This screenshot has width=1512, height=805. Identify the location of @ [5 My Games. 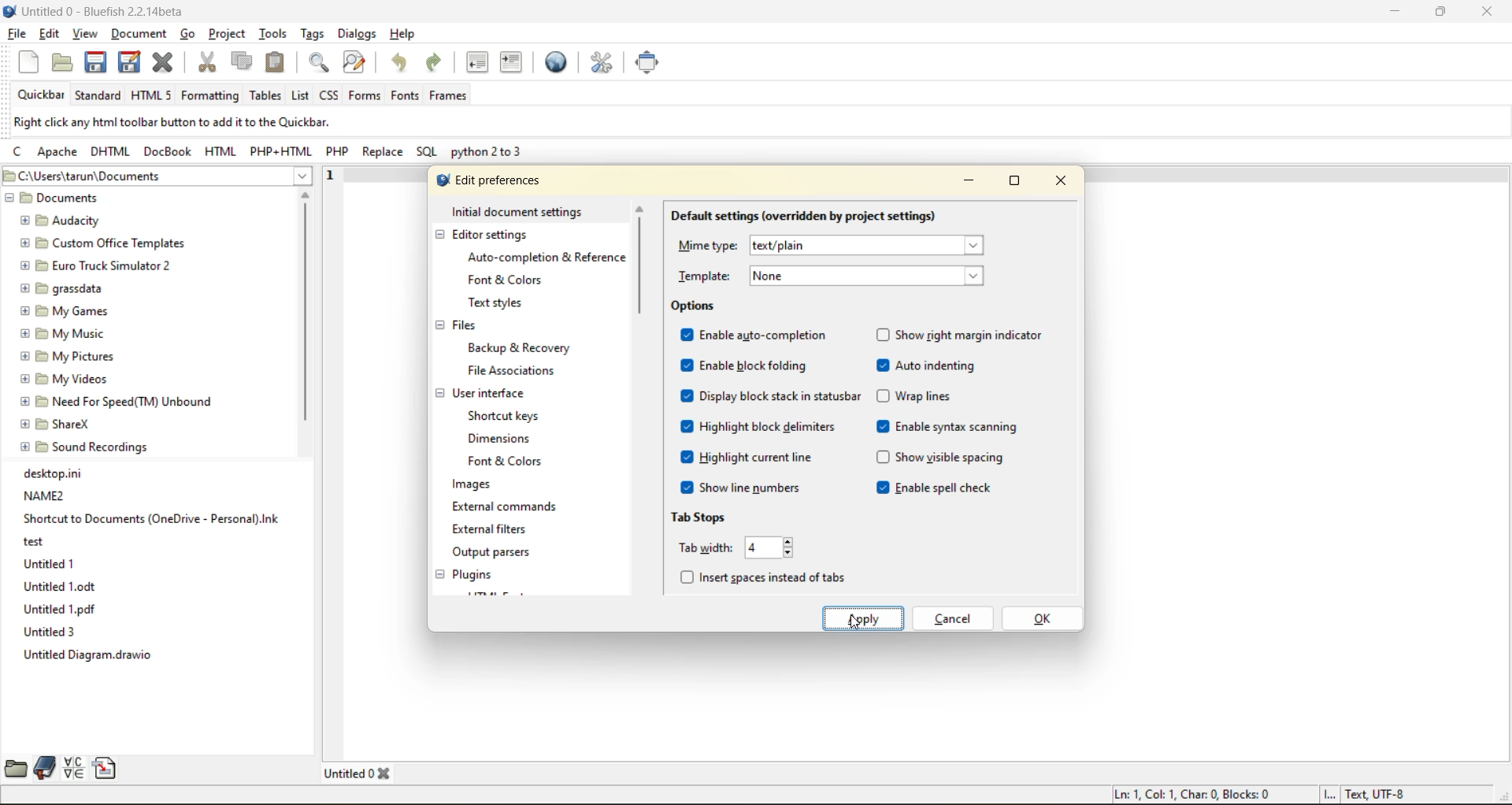
(62, 310).